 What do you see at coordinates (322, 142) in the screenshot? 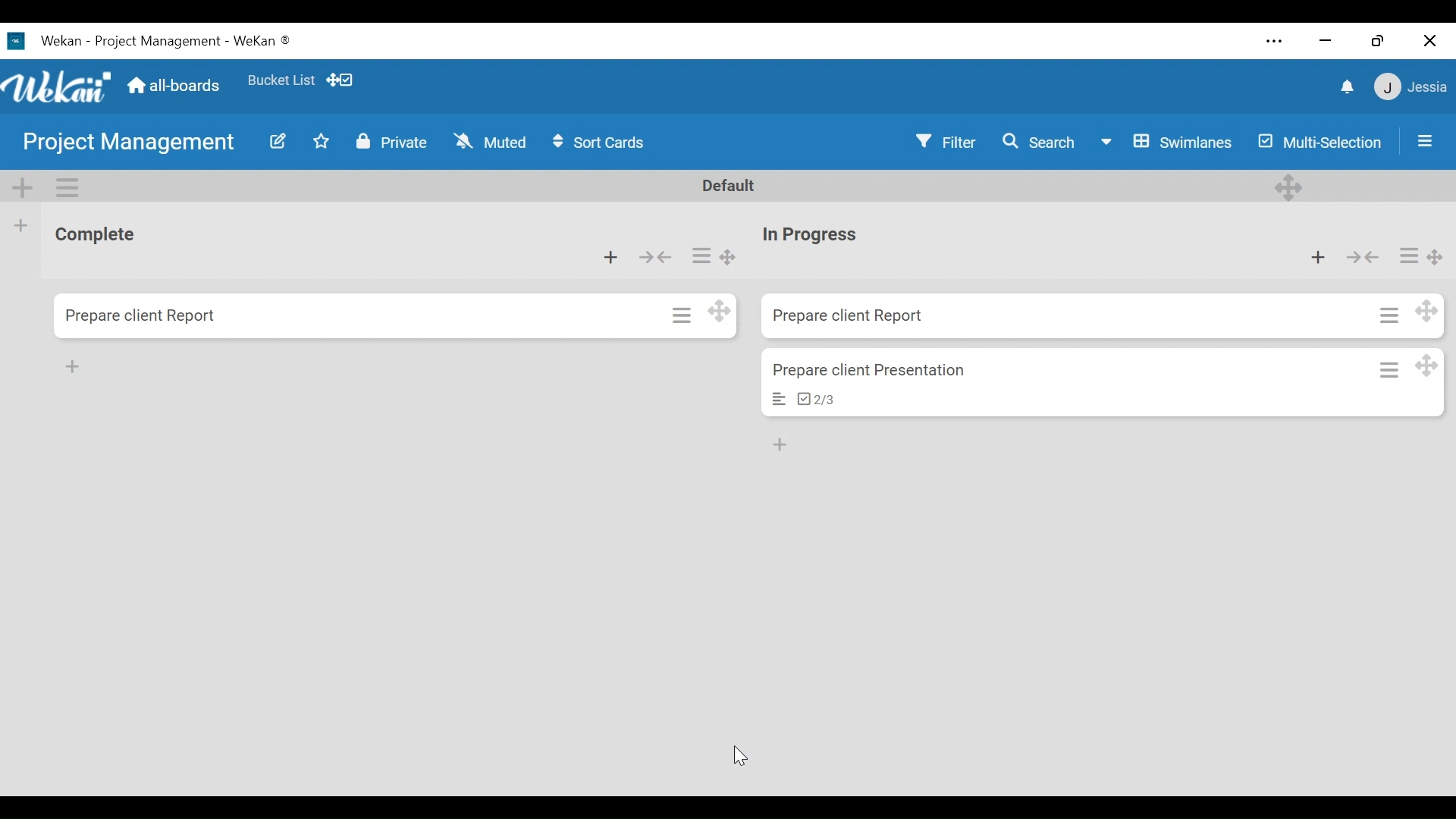
I see `Toggle favorites` at bounding box center [322, 142].